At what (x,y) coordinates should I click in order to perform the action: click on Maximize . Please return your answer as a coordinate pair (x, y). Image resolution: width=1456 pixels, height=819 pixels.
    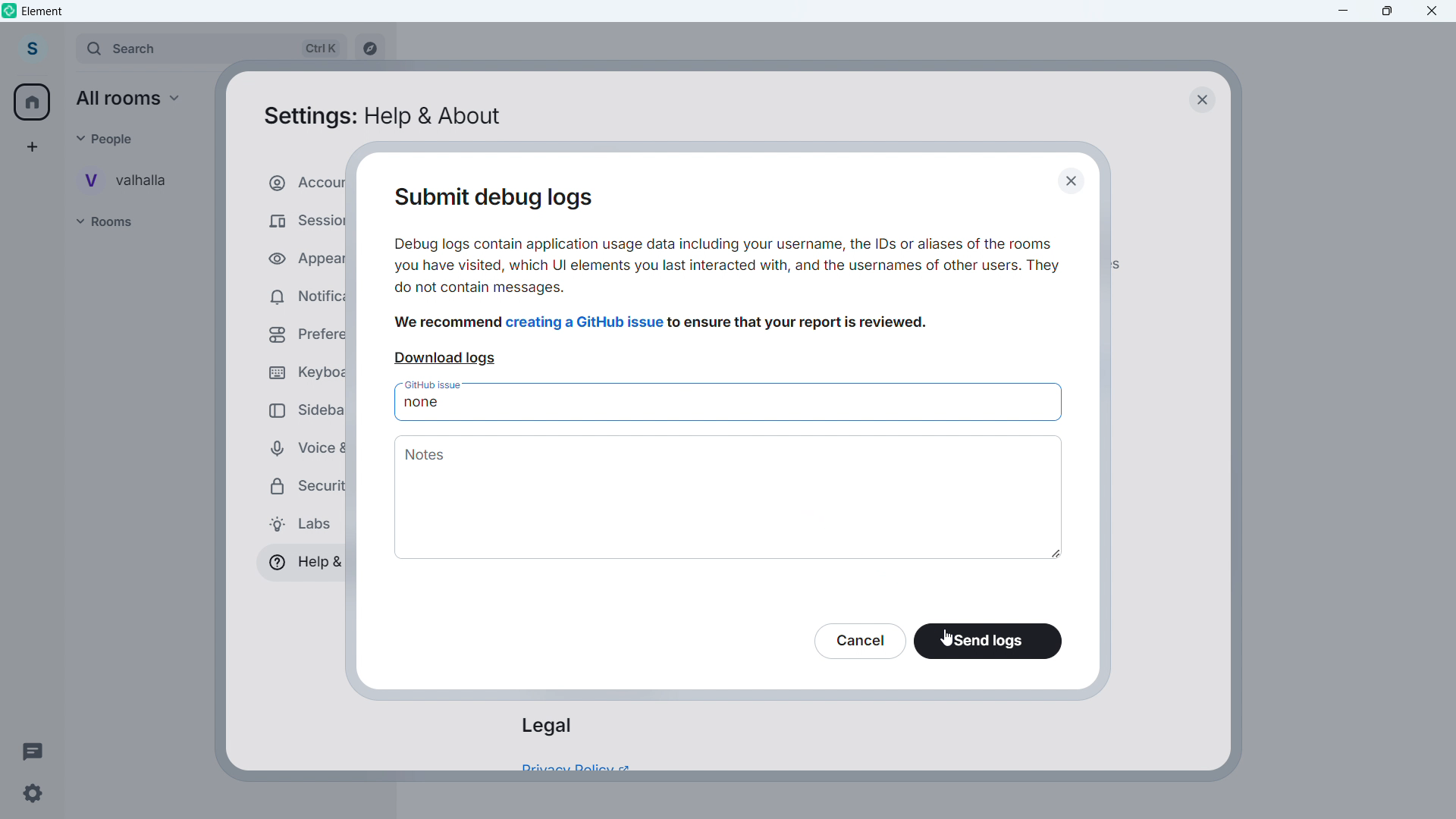
    Looking at the image, I should click on (1388, 11).